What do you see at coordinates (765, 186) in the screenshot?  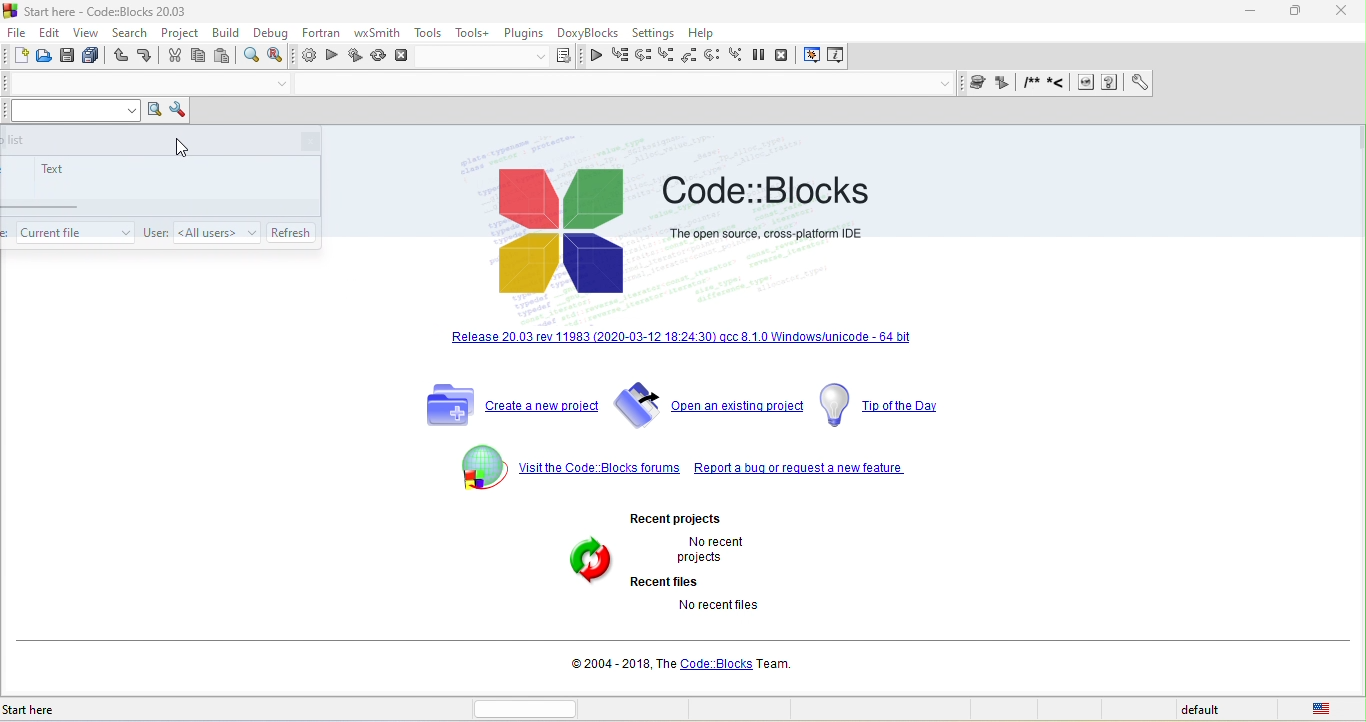 I see `code blocks ` at bounding box center [765, 186].